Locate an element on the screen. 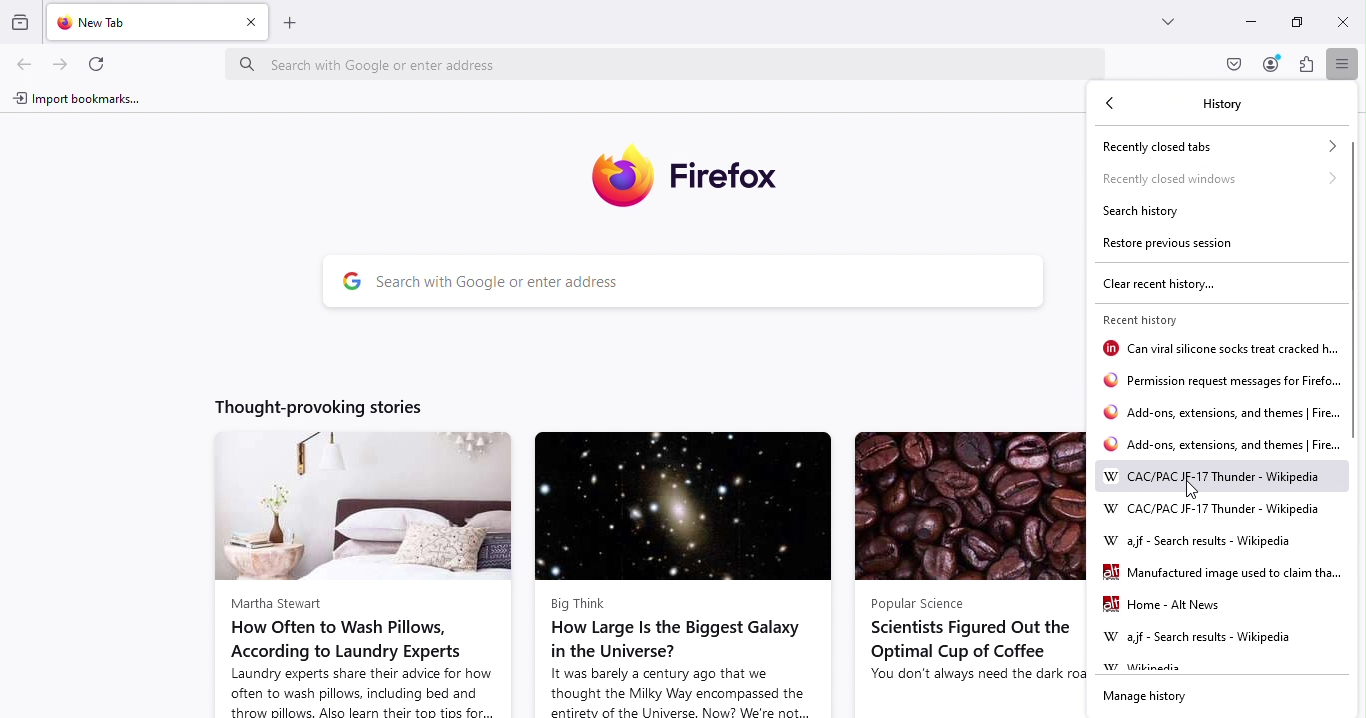 The height and width of the screenshot is (718, 1366). Minimize is located at coordinates (1250, 22).